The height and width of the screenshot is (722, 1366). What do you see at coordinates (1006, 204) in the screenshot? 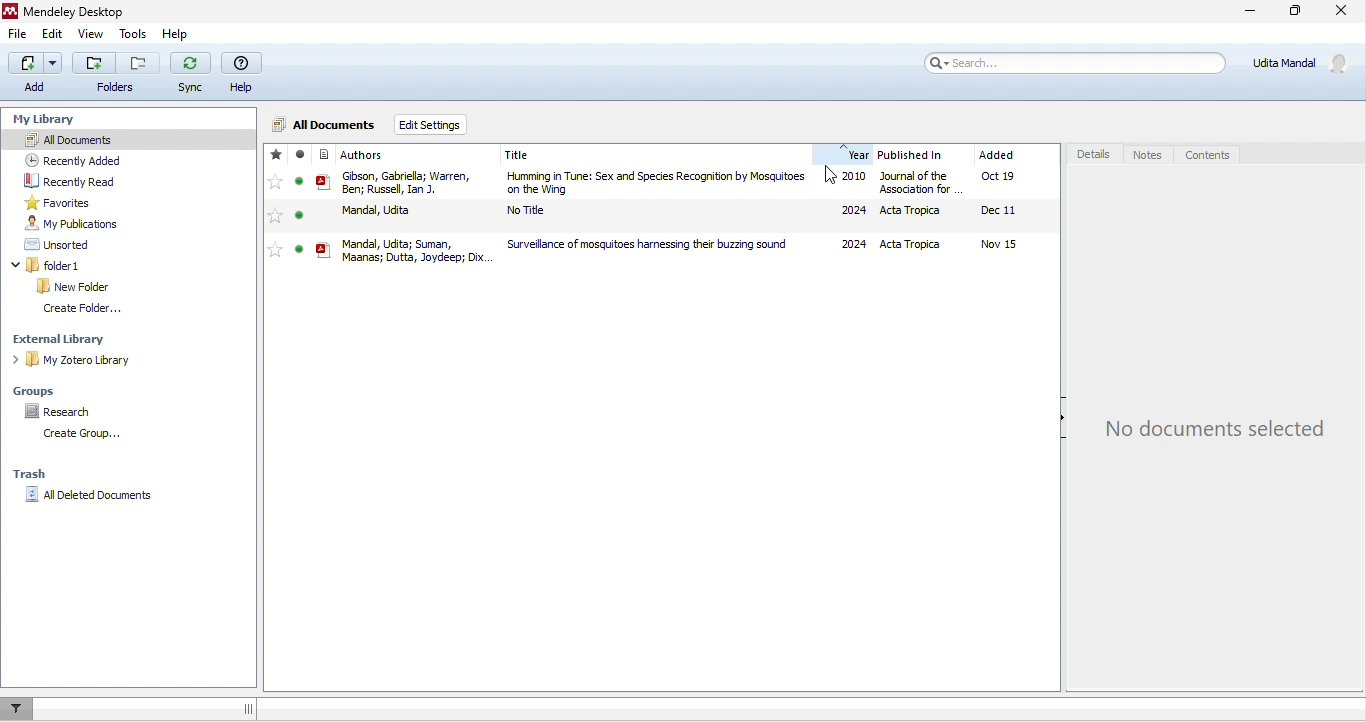
I see `Added
oct 19
Dec 11
Nov 15` at bounding box center [1006, 204].